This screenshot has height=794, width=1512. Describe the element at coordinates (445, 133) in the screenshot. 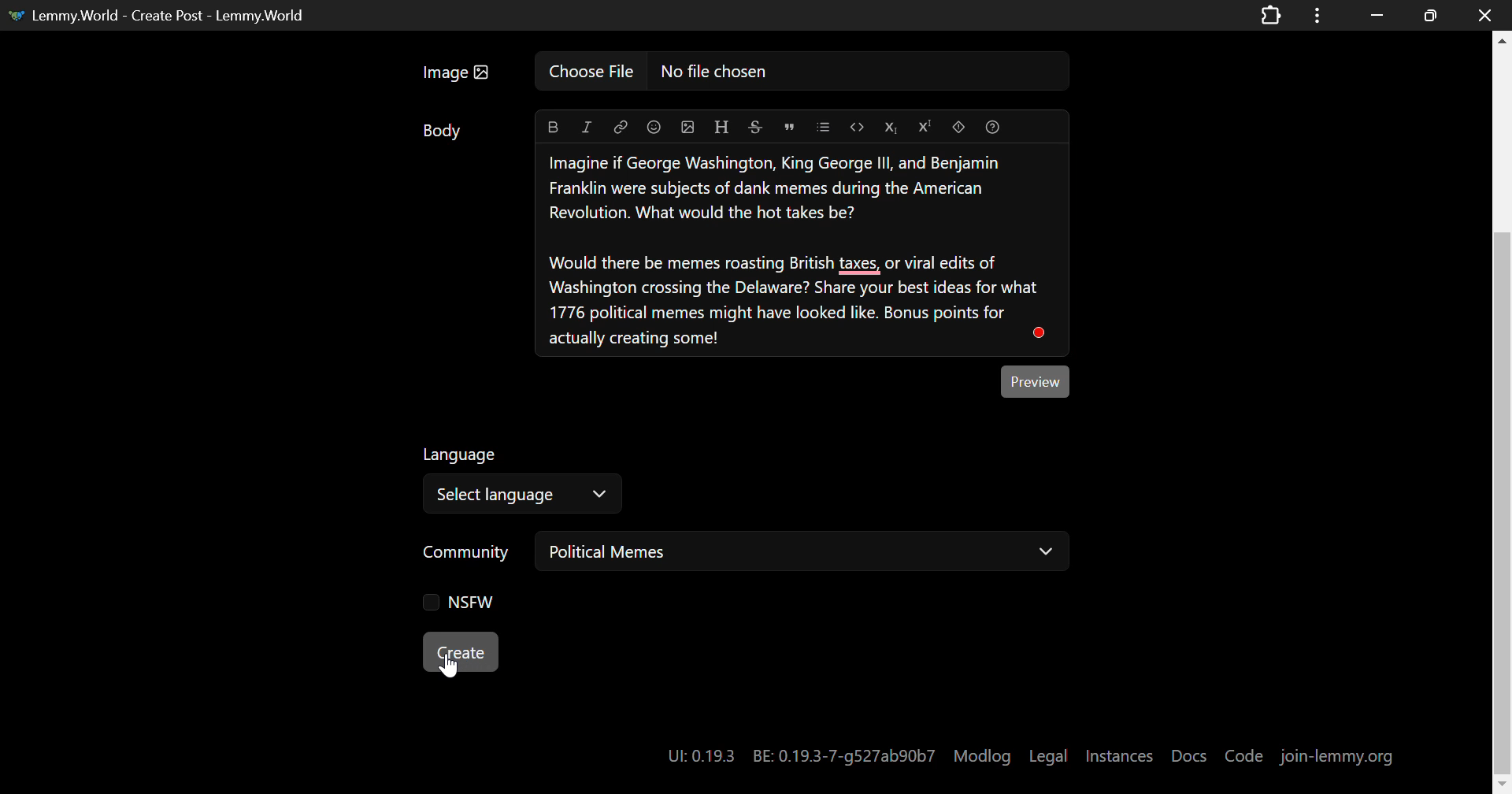

I see `Body` at that location.